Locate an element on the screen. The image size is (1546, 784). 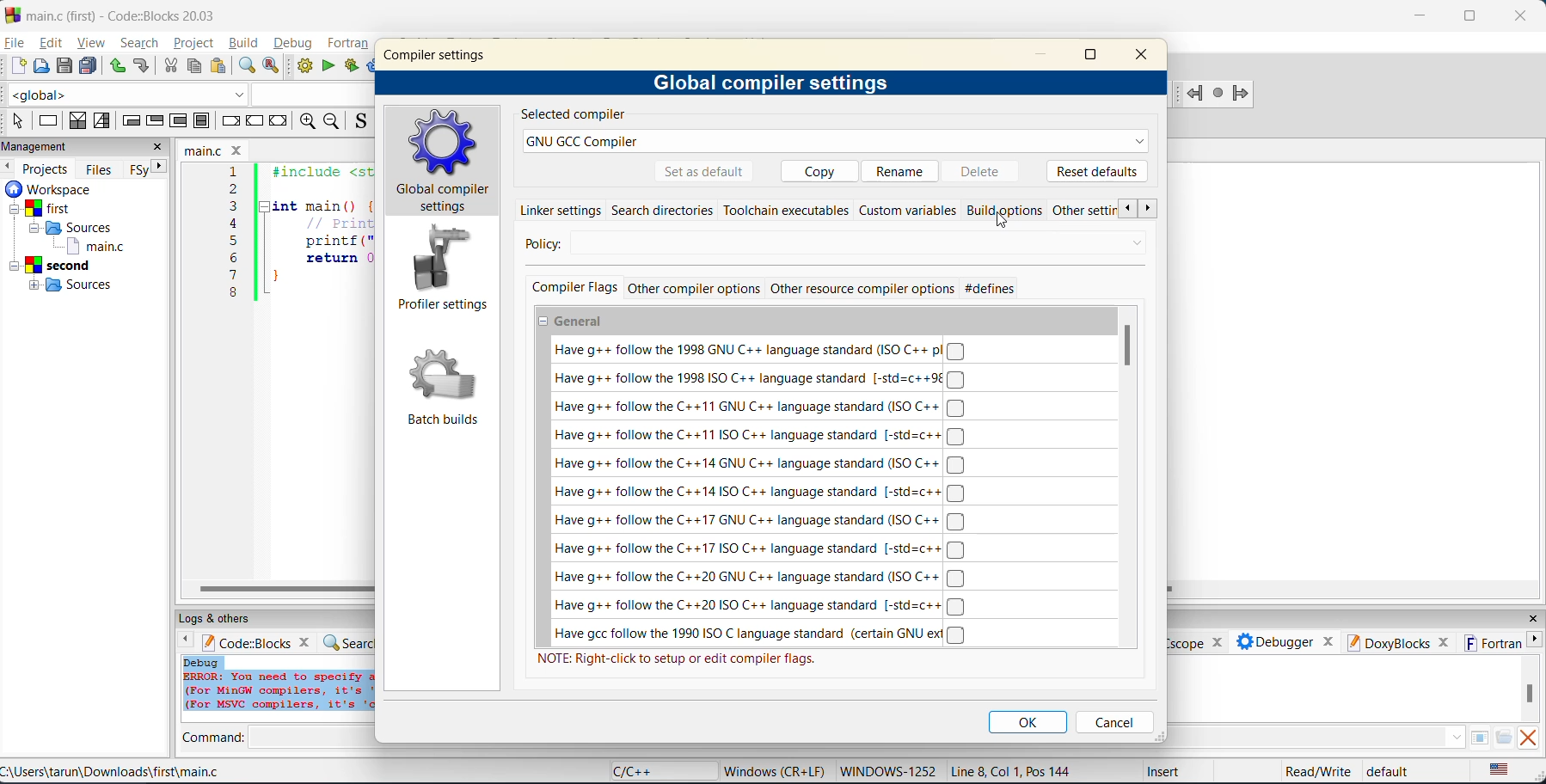
maximize is located at coordinates (1469, 17).